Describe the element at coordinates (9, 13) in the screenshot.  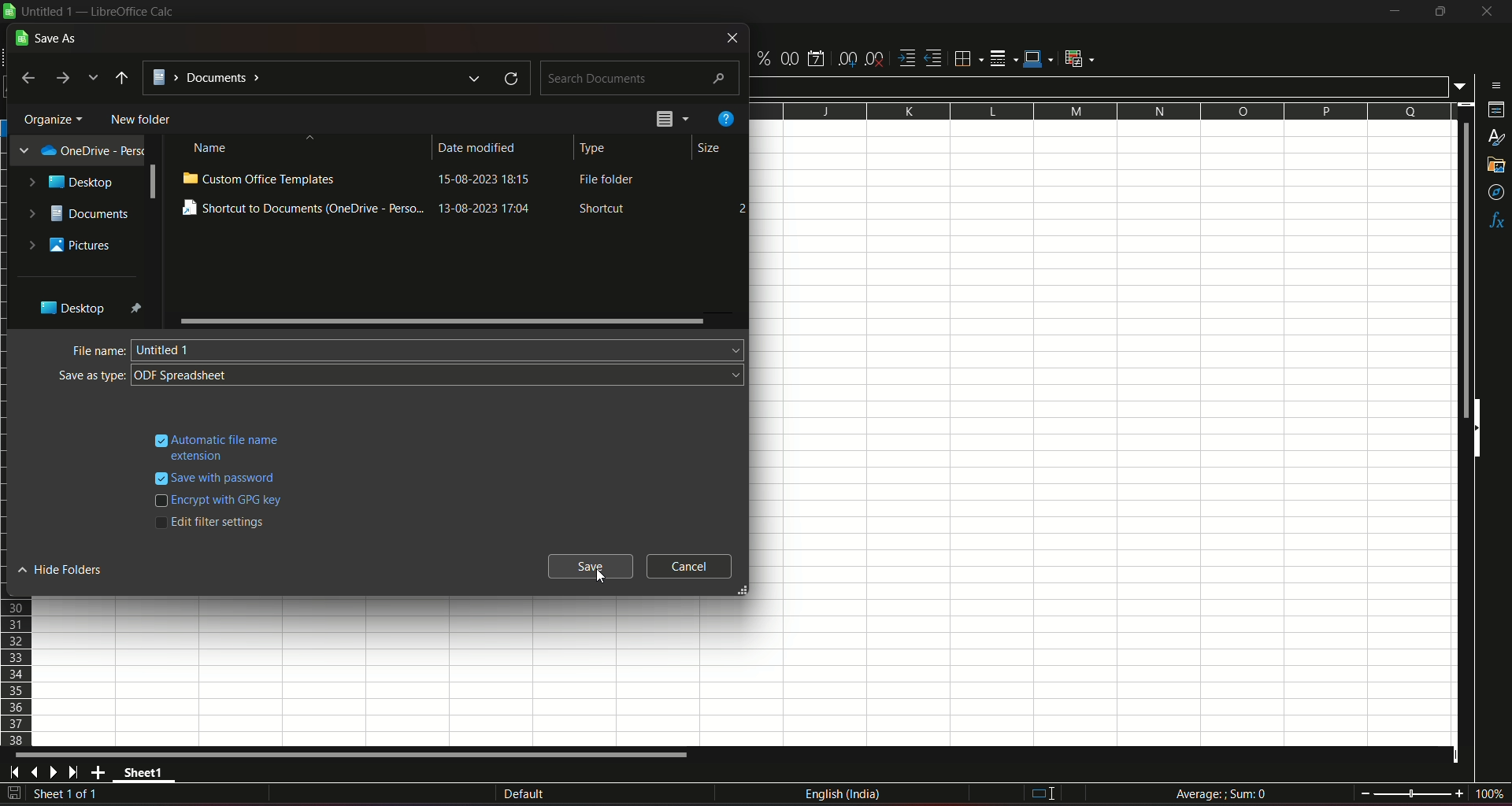
I see `libreoffice calc logo` at that location.